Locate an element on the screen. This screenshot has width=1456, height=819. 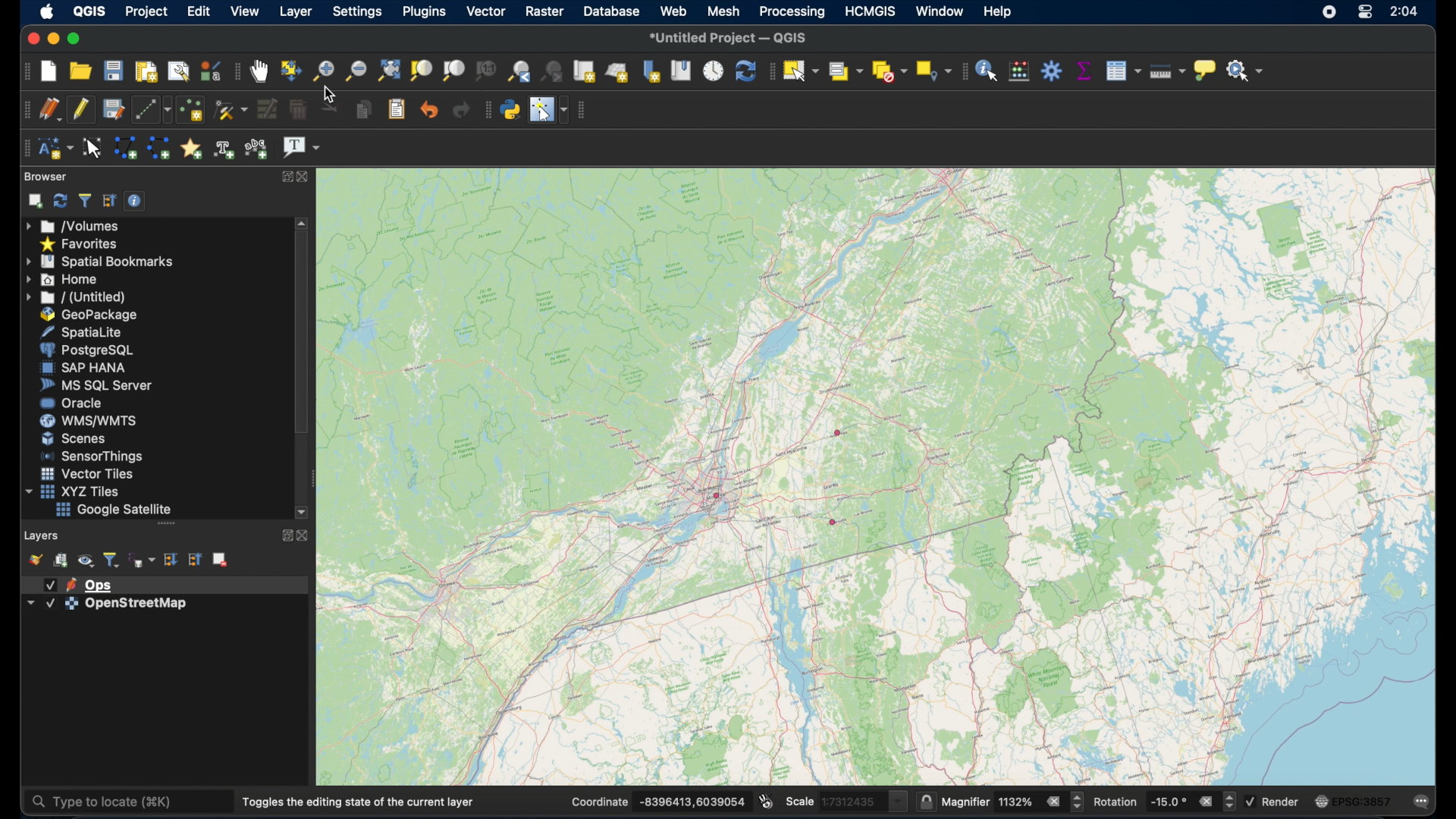
vertex tool is located at coordinates (231, 109).